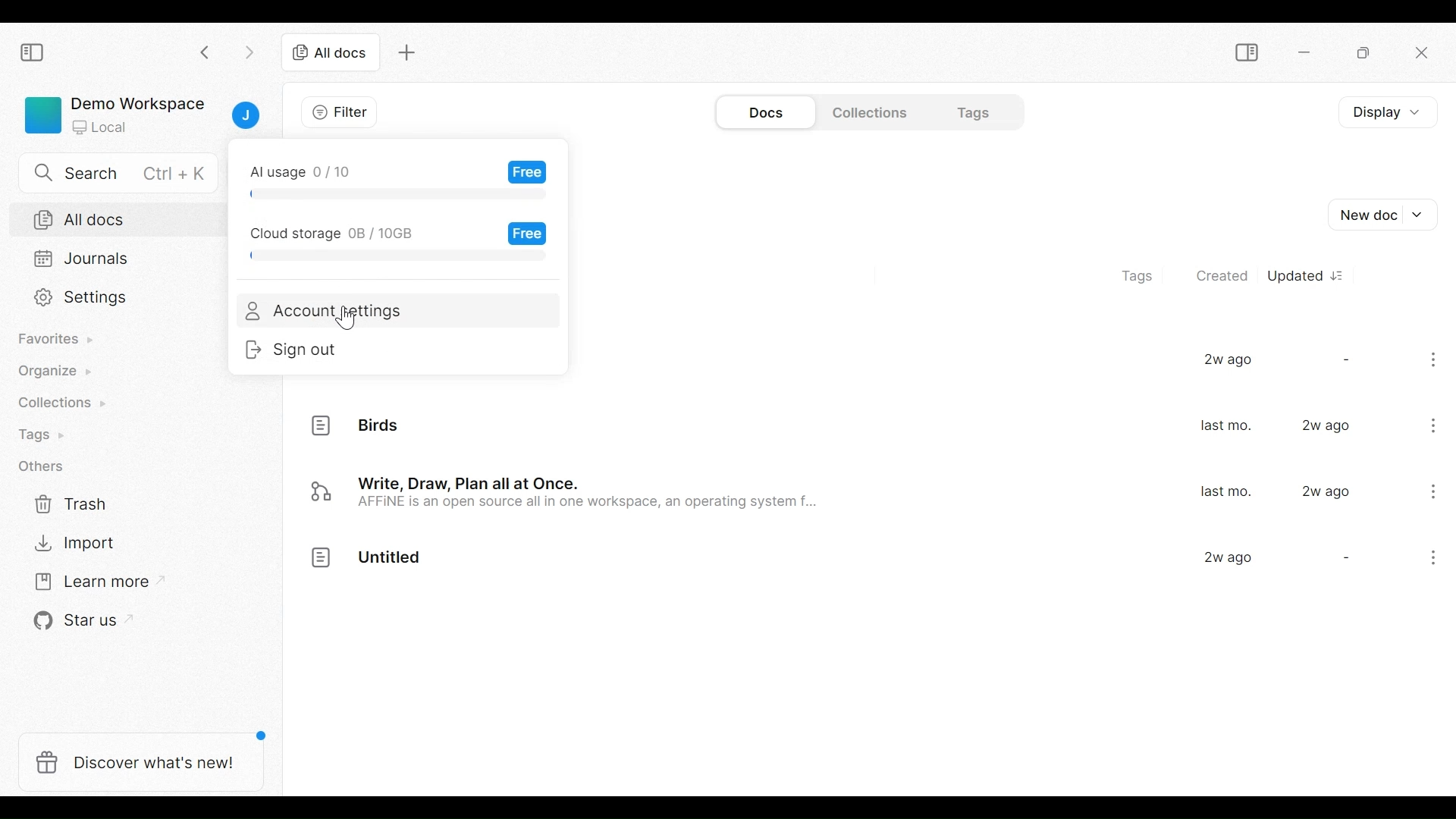  What do you see at coordinates (69, 545) in the screenshot?
I see `Import` at bounding box center [69, 545].